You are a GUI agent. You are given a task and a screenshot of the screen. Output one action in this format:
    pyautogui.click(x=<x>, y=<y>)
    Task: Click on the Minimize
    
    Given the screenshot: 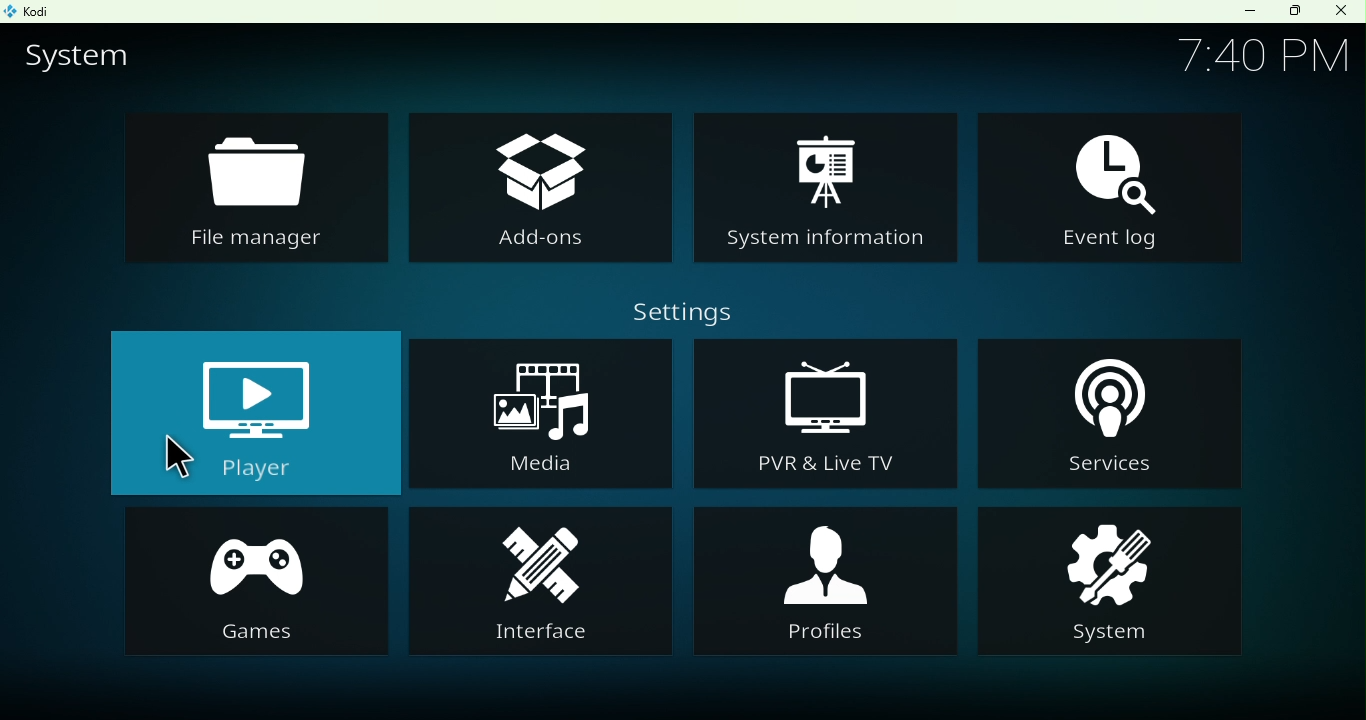 What is the action you would take?
    pyautogui.click(x=1245, y=11)
    